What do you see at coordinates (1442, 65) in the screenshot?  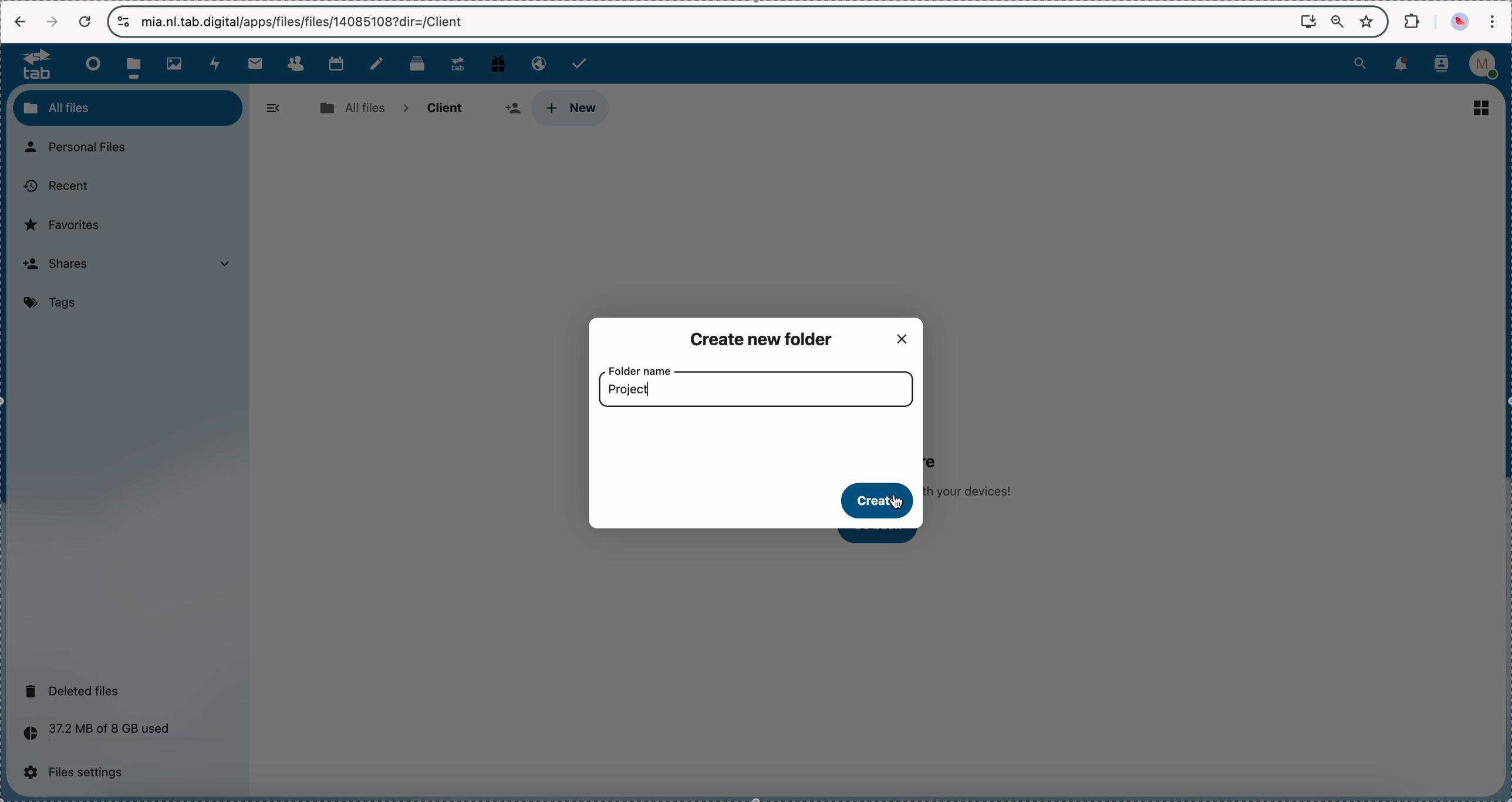 I see `contacts` at bounding box center [1442, 65].